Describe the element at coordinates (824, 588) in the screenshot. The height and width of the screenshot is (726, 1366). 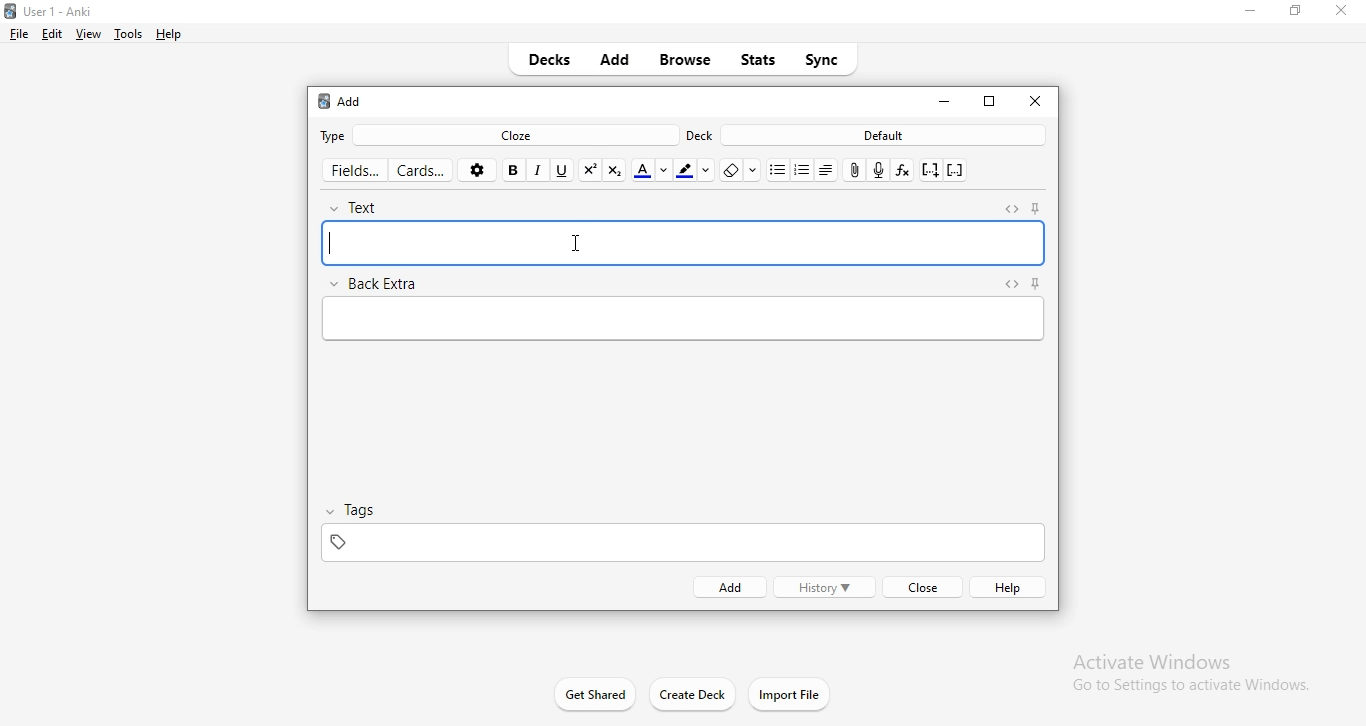
I see `history` at that location.